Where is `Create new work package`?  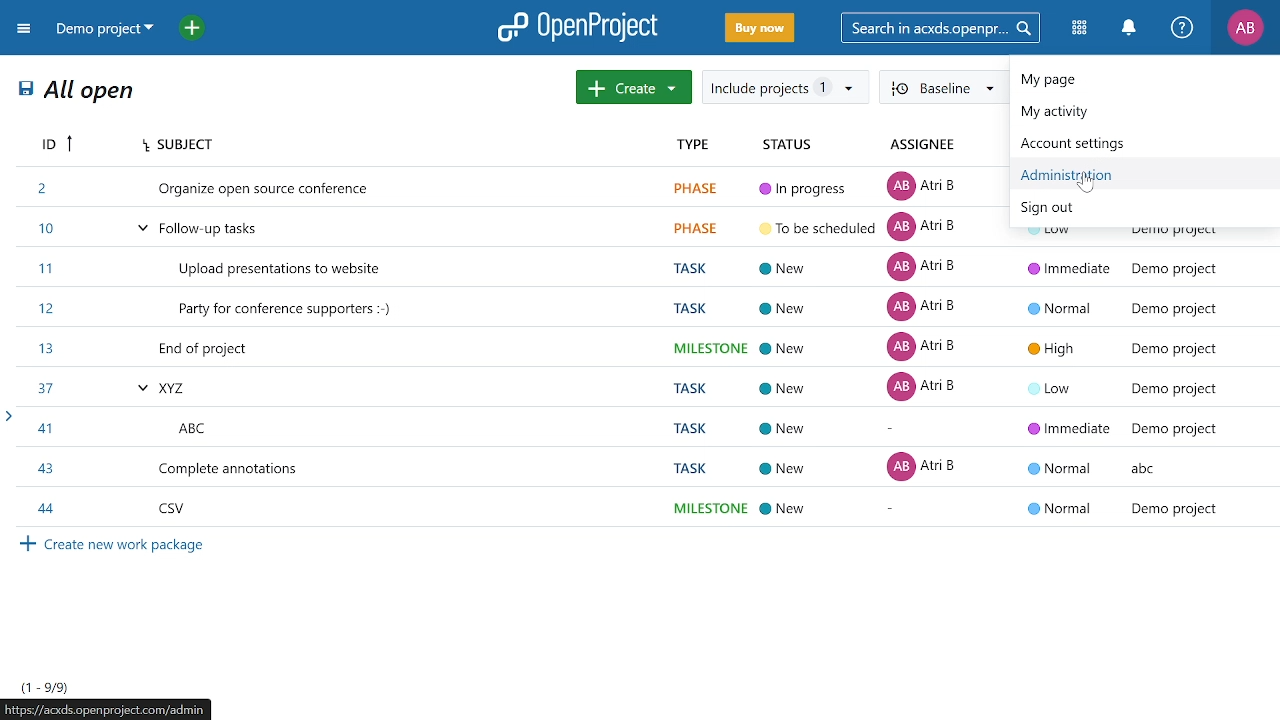 Create new work package is located at coordinates (117, 546).